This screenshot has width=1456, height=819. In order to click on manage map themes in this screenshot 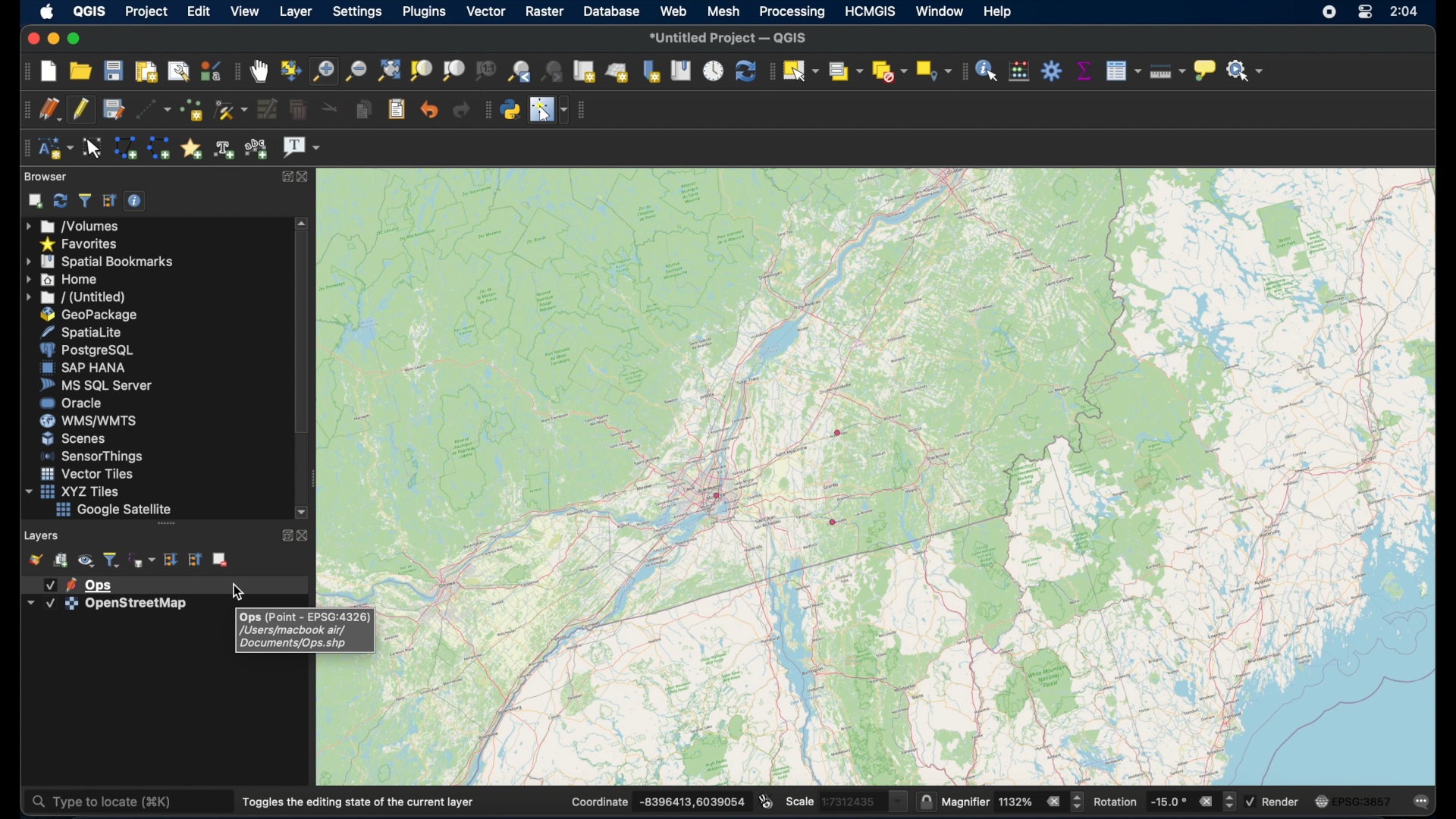, I will do `click(84, 560)`.